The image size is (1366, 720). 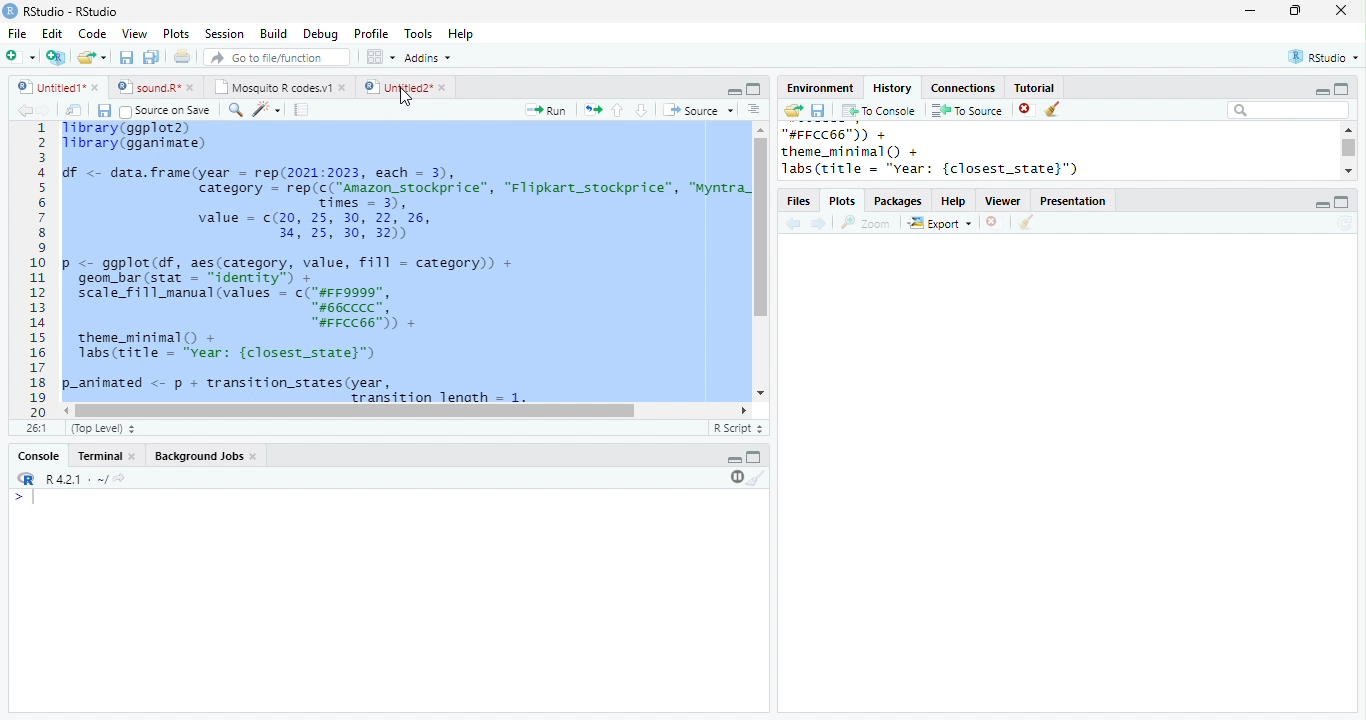 I want to click on scroll bar, so click(x=1349, y=147).